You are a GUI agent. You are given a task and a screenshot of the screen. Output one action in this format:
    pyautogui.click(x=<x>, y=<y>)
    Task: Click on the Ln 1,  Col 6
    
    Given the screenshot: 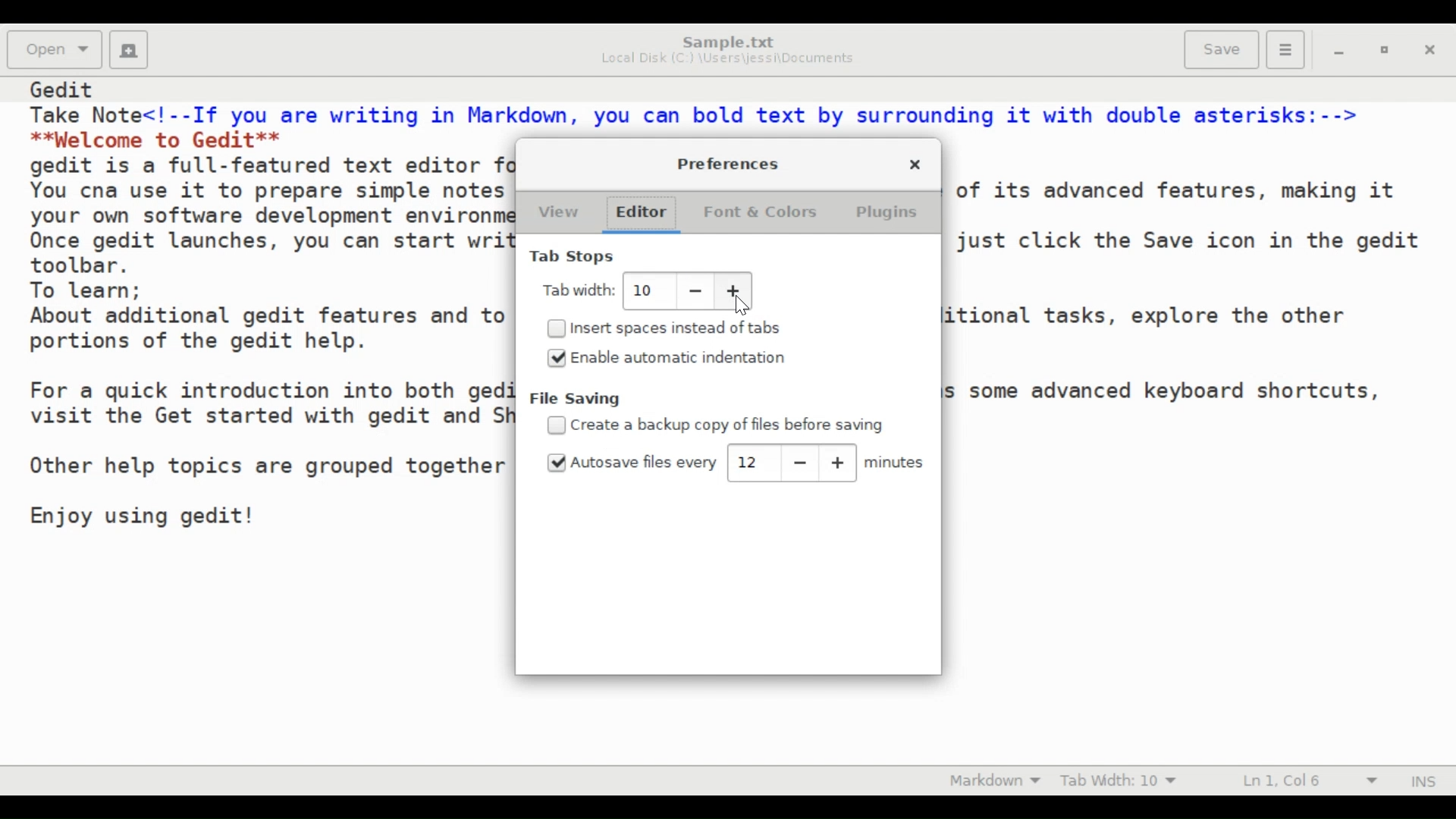 What is the action you would take?
    pyautogui.click(x=1304, y=781)
    